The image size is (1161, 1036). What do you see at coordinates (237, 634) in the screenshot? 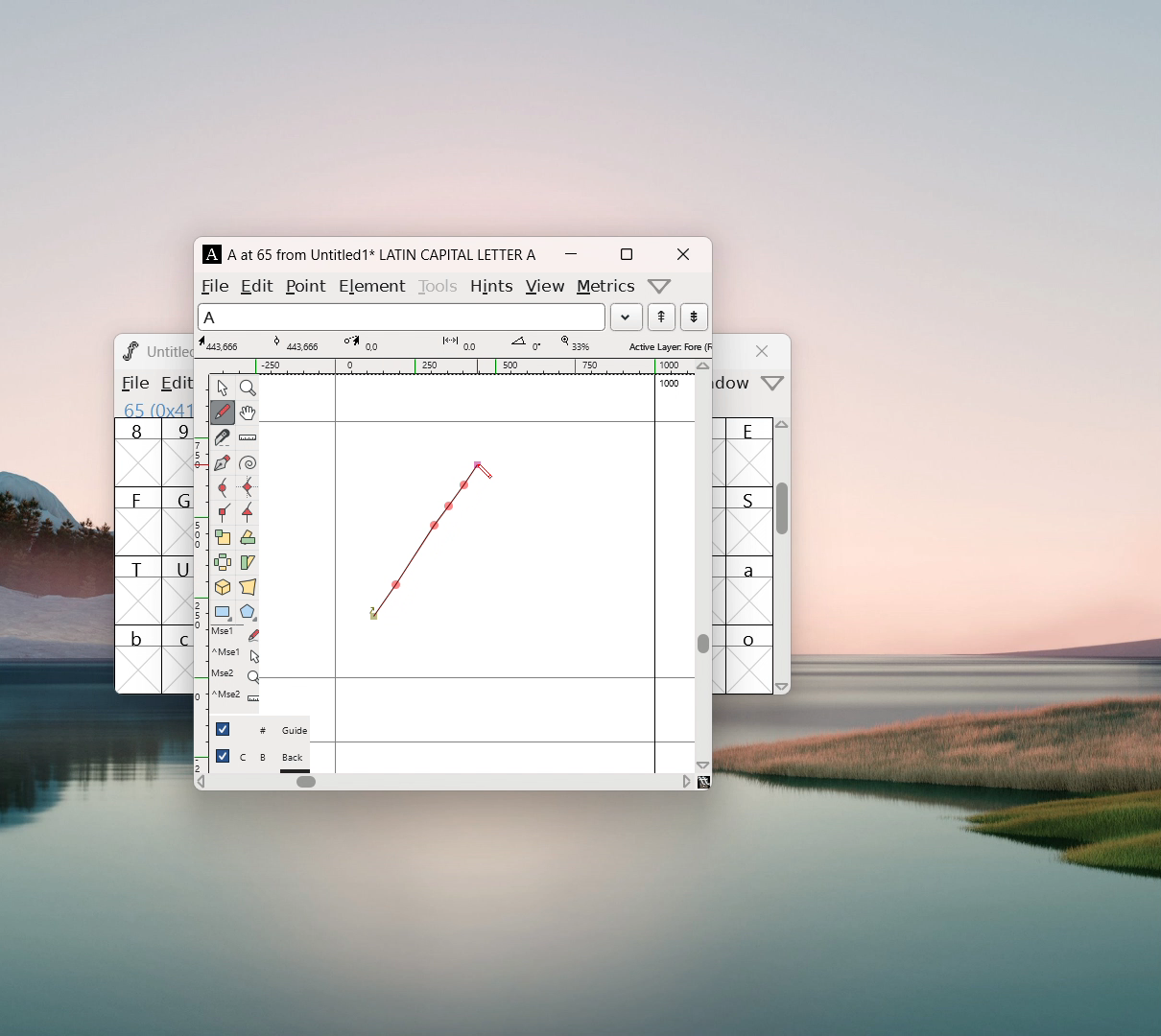
I see `Mse1` at bounding box center [237, 634].